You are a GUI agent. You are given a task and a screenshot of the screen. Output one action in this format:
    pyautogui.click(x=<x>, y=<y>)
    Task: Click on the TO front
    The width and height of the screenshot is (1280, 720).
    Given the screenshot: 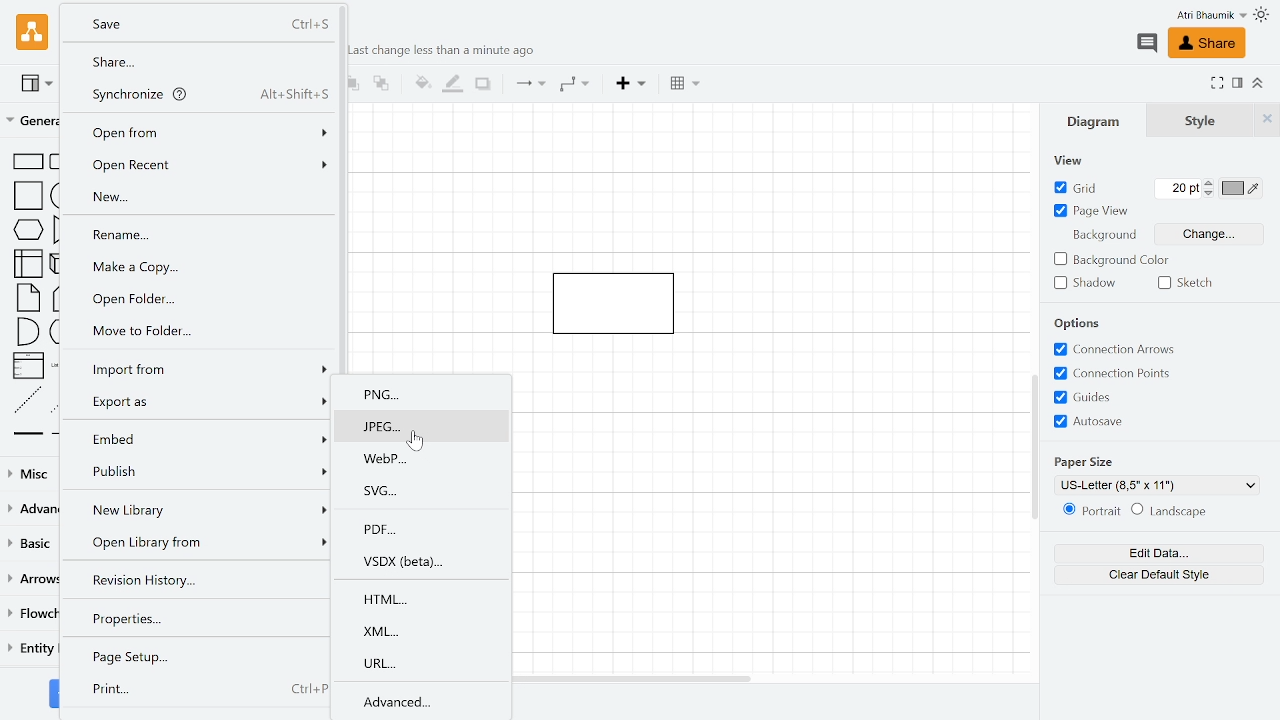 What is the action you would take?
    pyautogui.click(x=352, y=85)
    